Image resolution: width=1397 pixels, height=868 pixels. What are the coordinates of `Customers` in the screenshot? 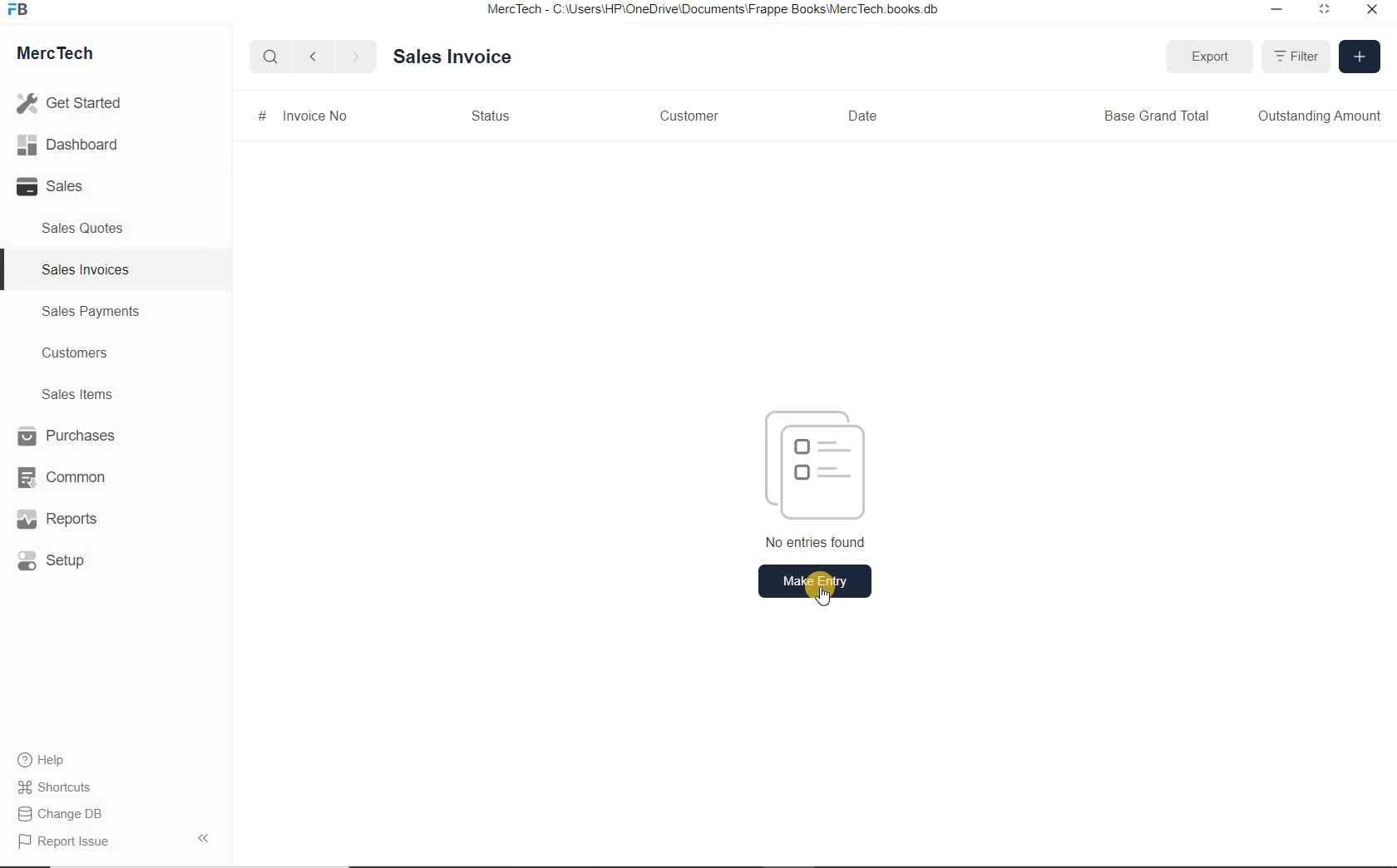 It's located at (90, 353).